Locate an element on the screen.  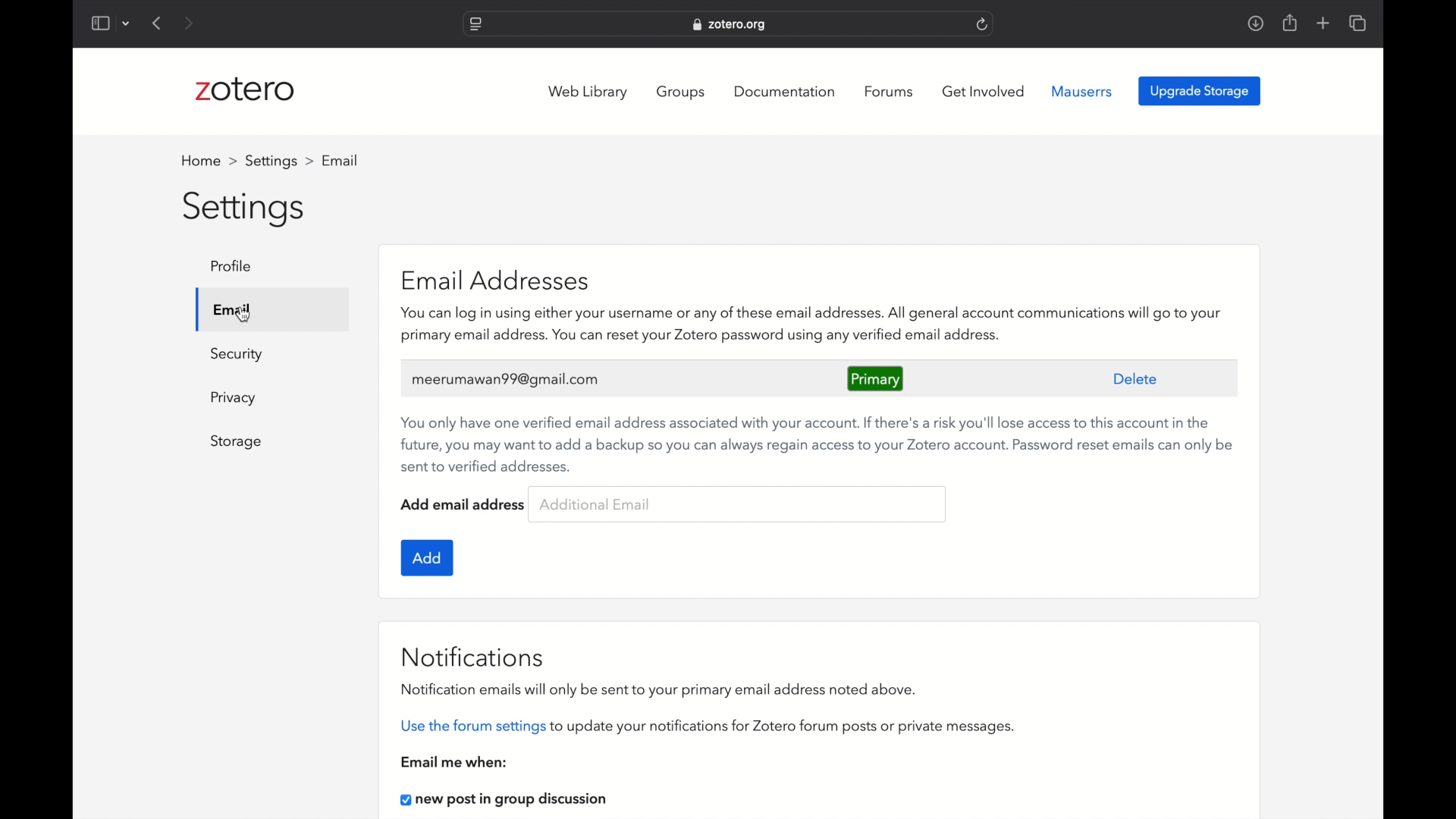
documentation is located at coordinates (786, 90).